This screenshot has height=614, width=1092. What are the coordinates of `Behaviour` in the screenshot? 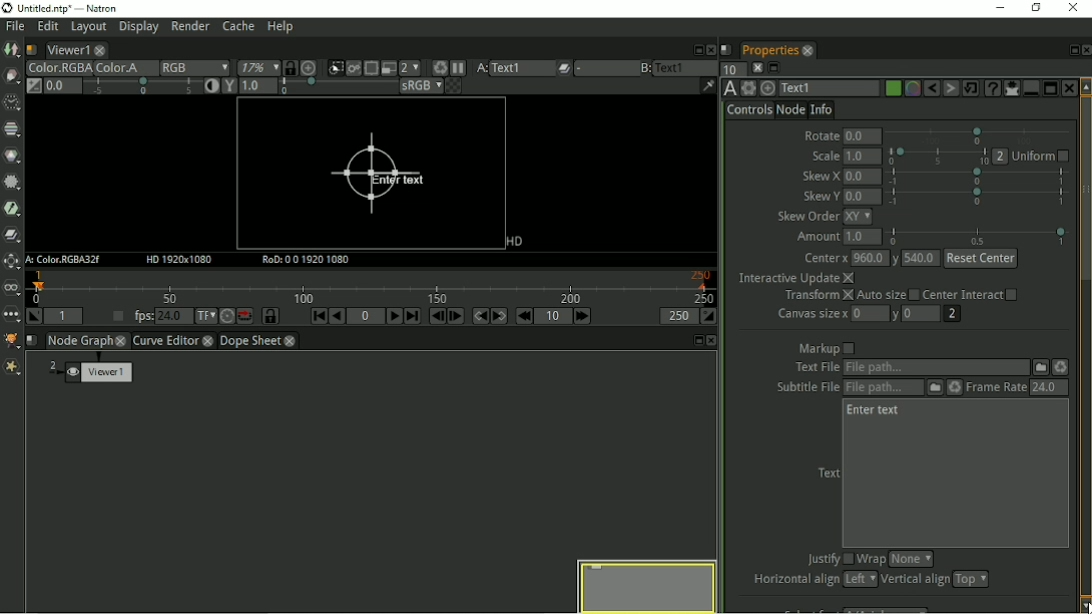 It's located at (245, 316).